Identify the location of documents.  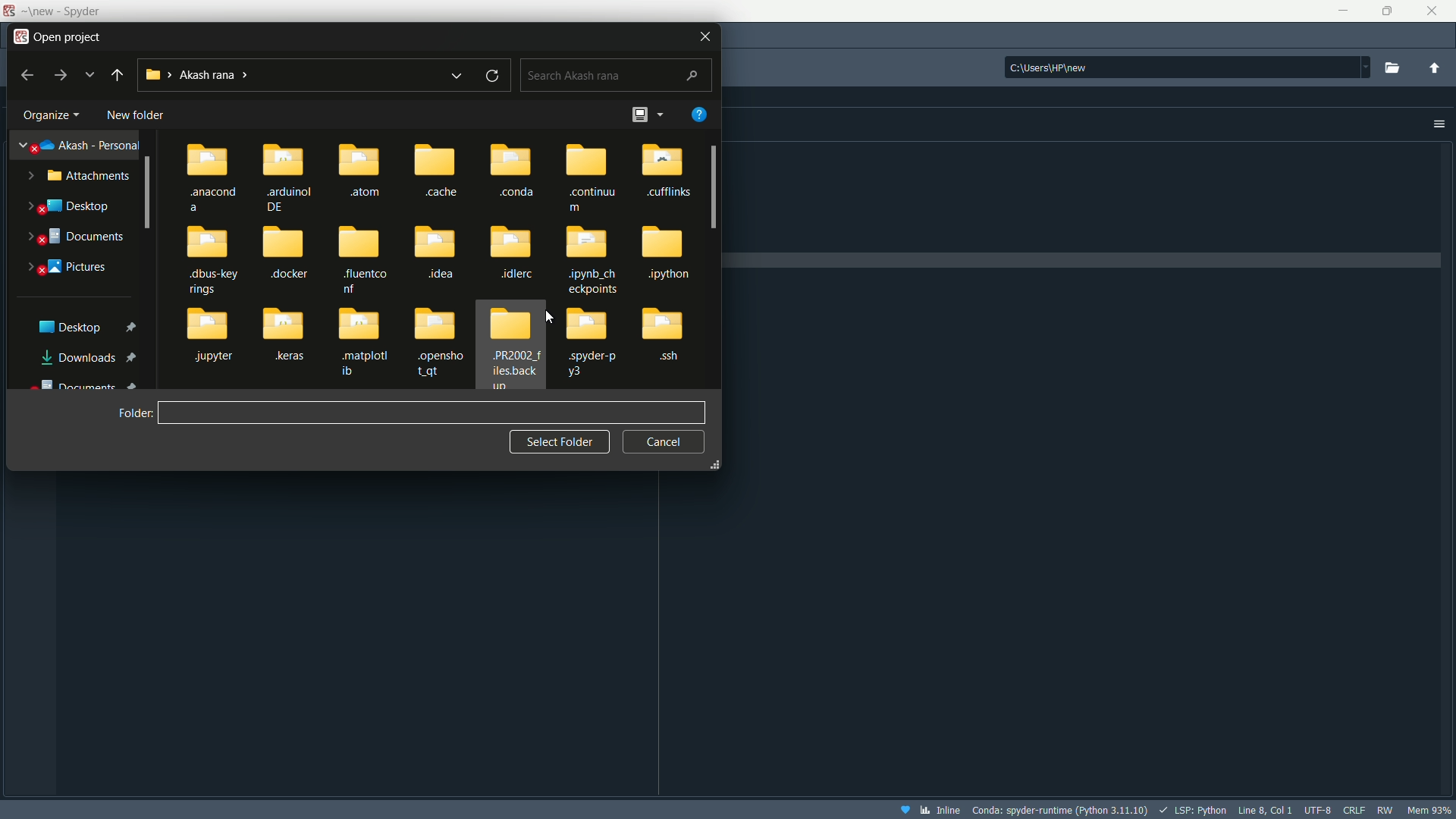
(77, 239).